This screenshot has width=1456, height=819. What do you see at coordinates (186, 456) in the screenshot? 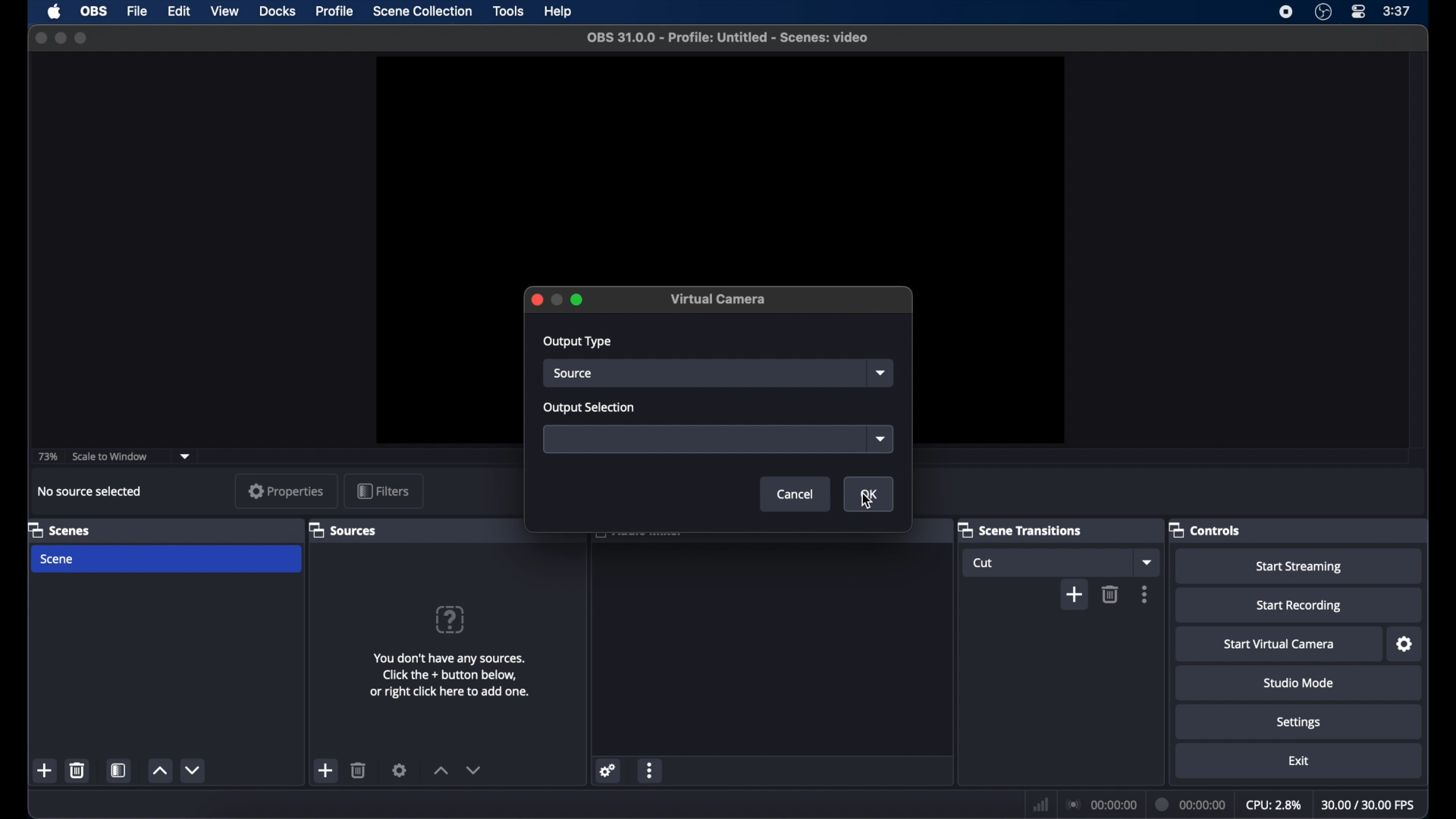
I see `dropdown` at bounding box center [186, 456].